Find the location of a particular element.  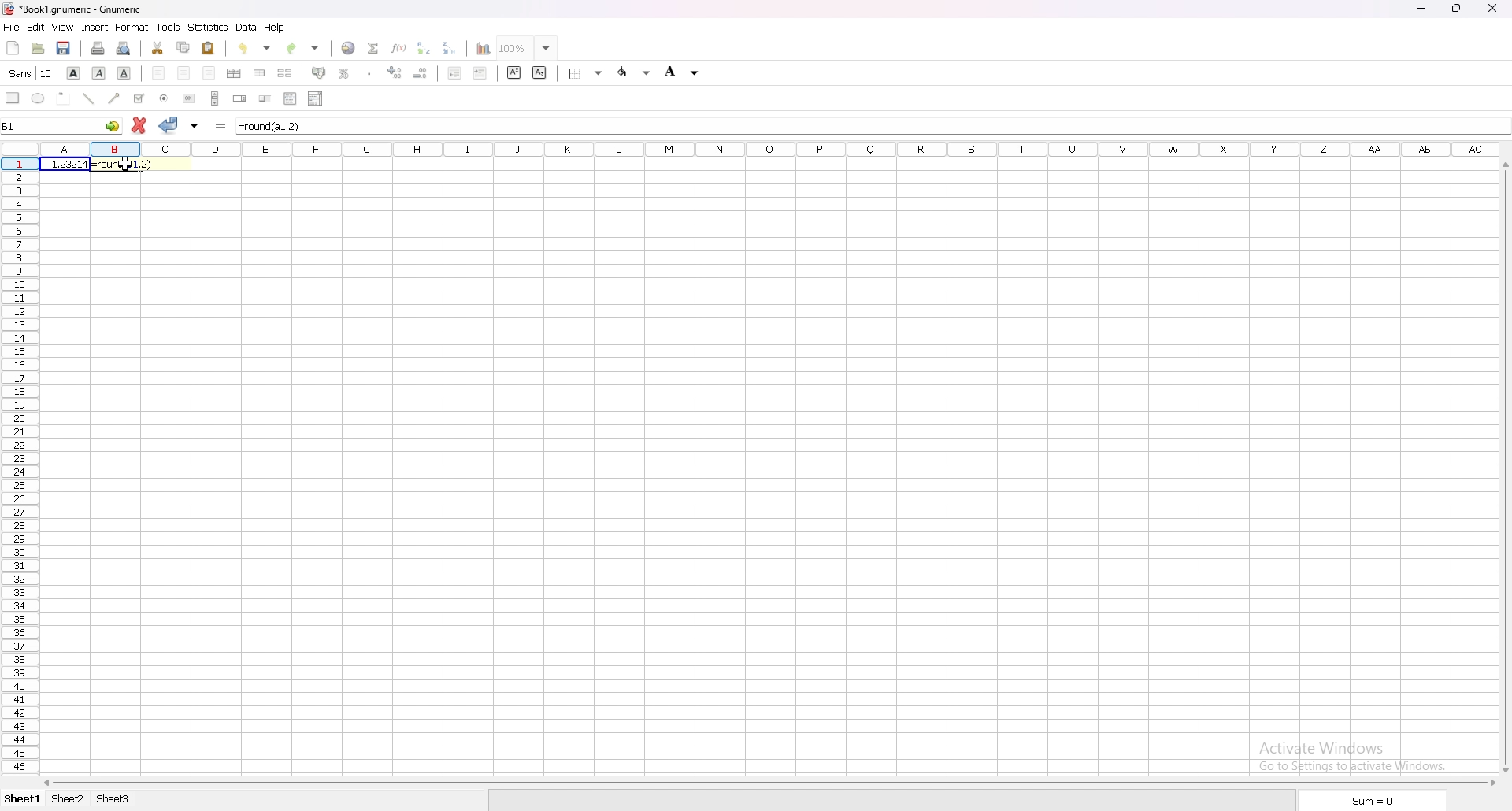

list is located at coordinates (290, 98).